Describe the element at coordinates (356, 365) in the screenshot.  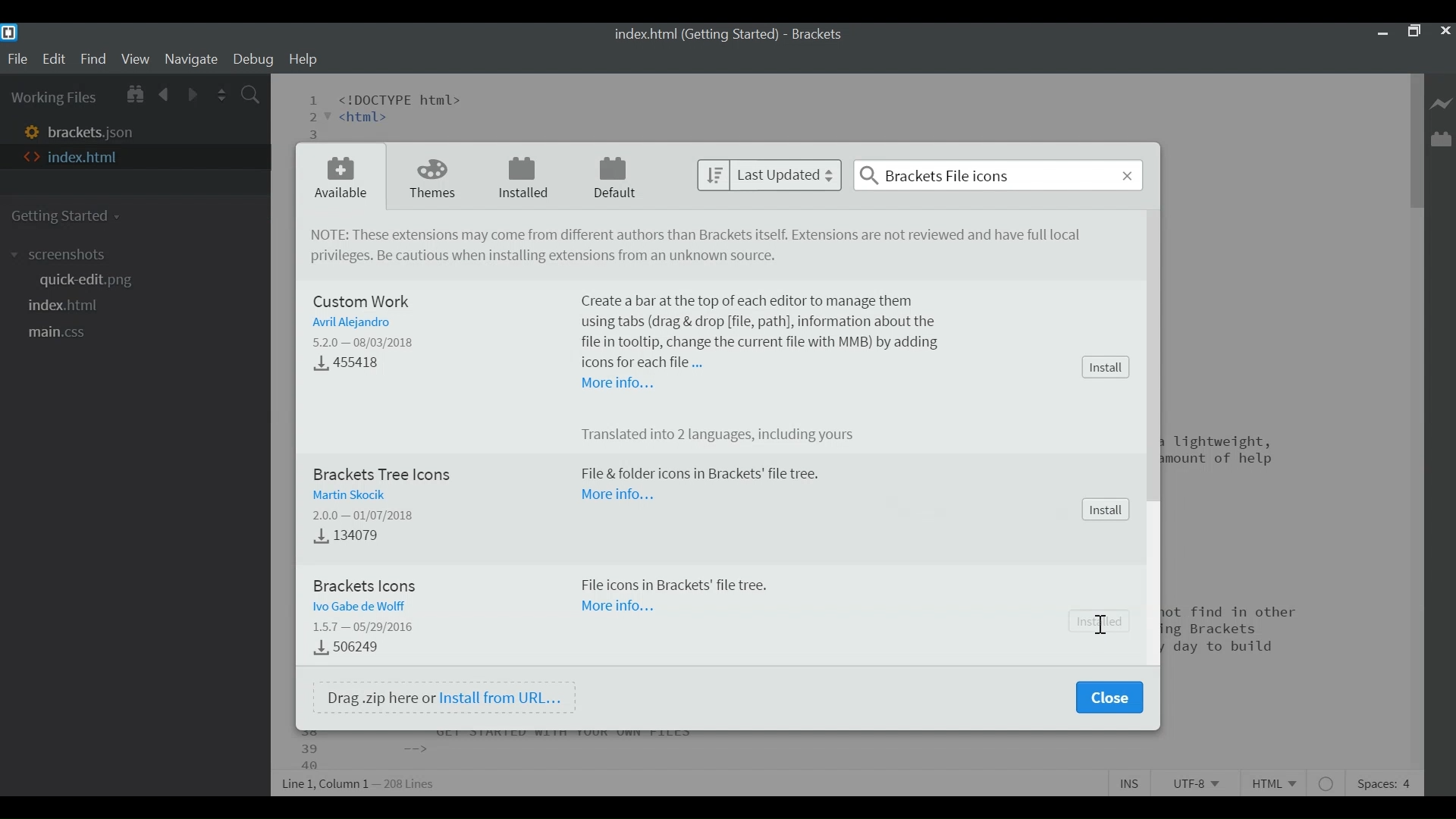
I see `Downloads` at that location.